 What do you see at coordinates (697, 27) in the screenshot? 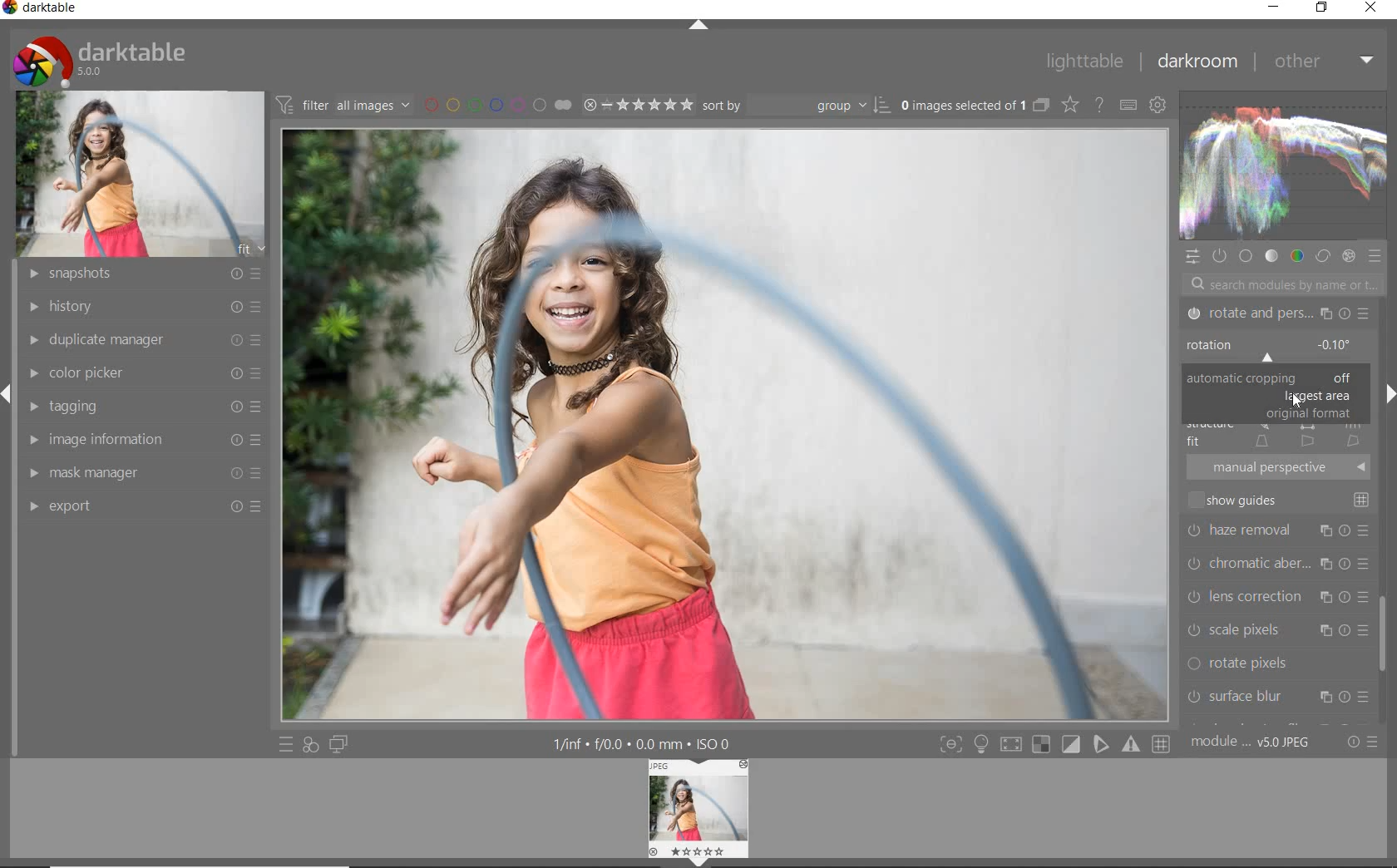
I see `expand/collapse` at bounding box center [697, 27].